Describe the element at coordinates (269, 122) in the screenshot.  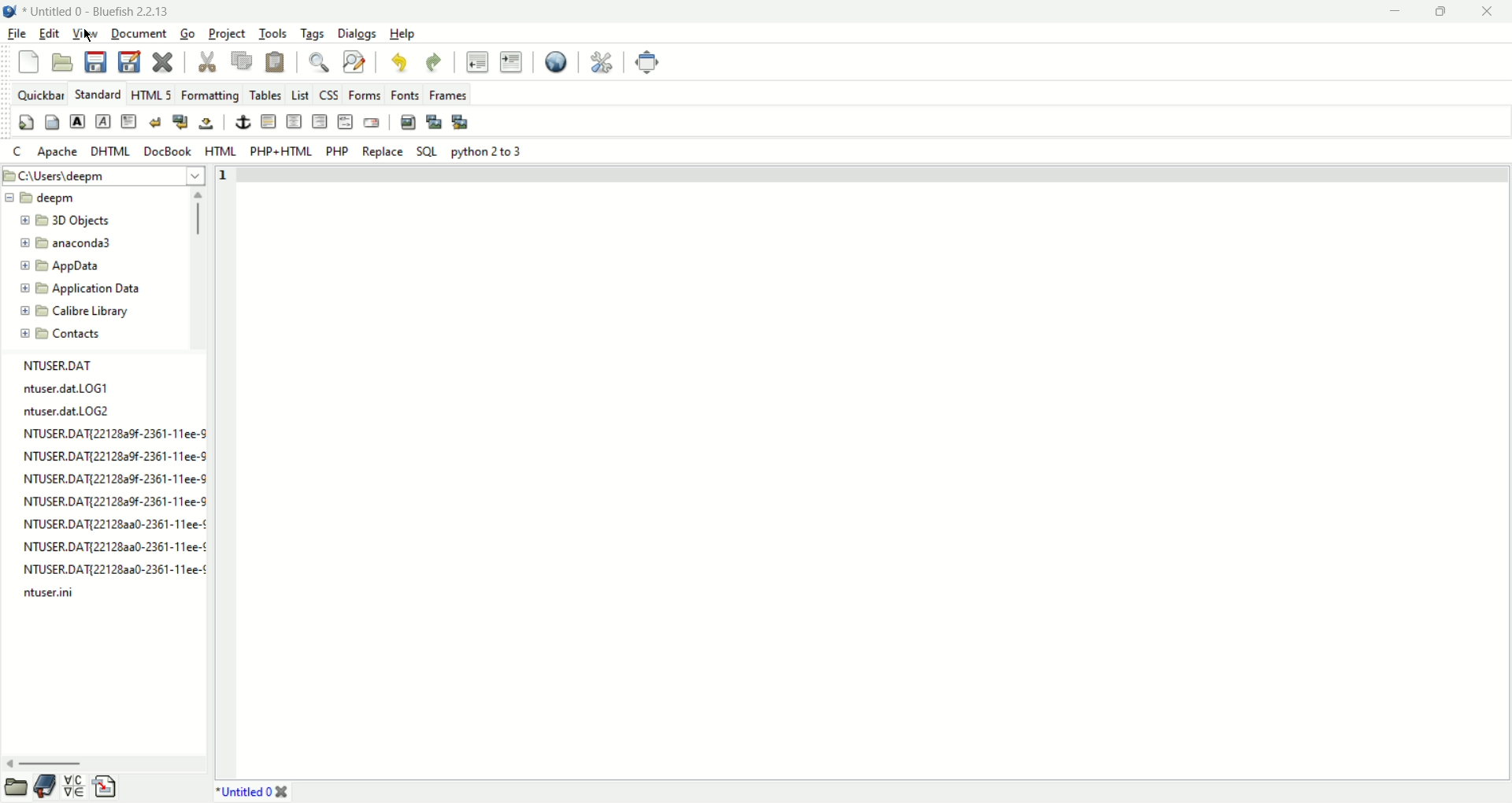
I see `horizontal rule` at that location.